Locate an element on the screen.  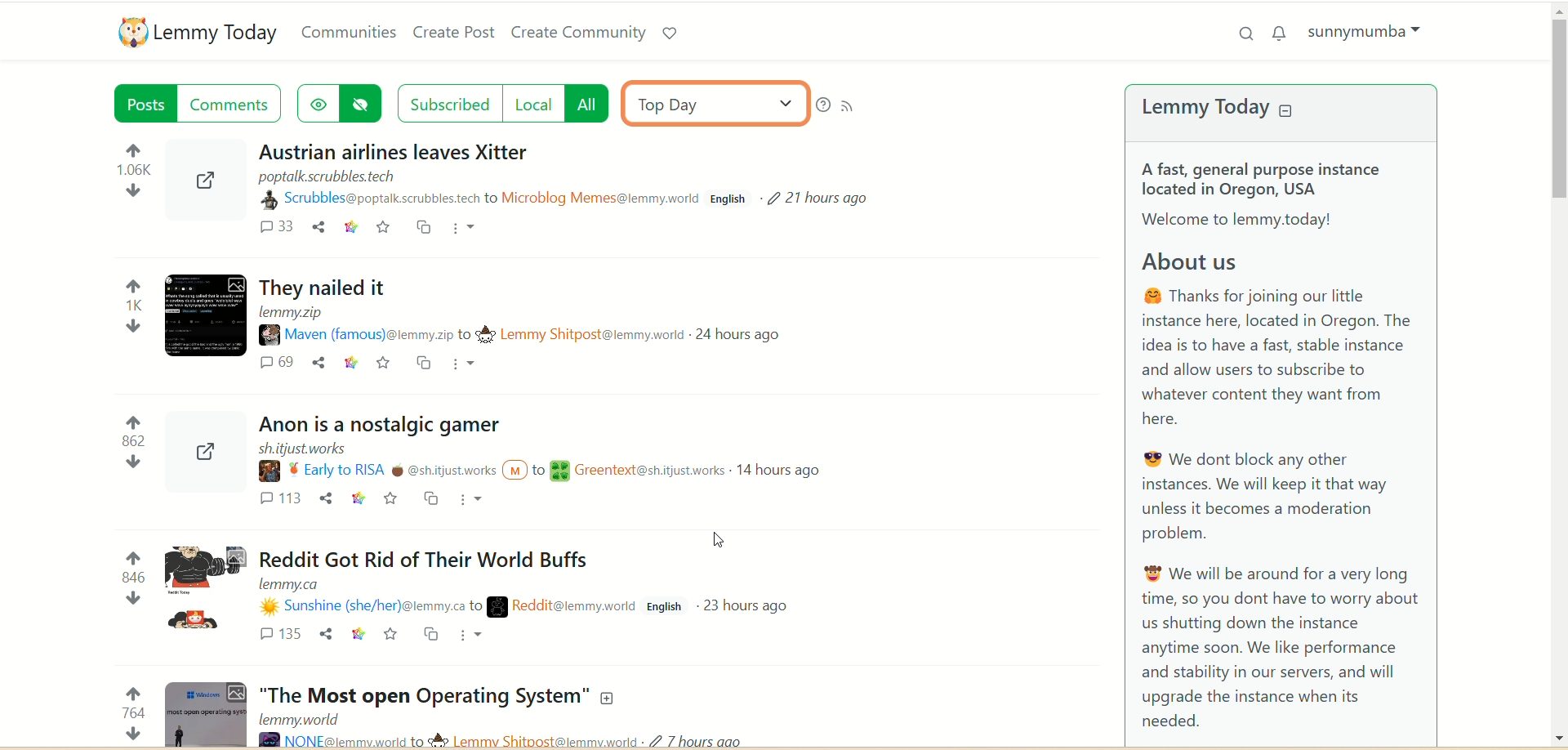
sunnymumba(account) is located at coordinates (1370, 31).